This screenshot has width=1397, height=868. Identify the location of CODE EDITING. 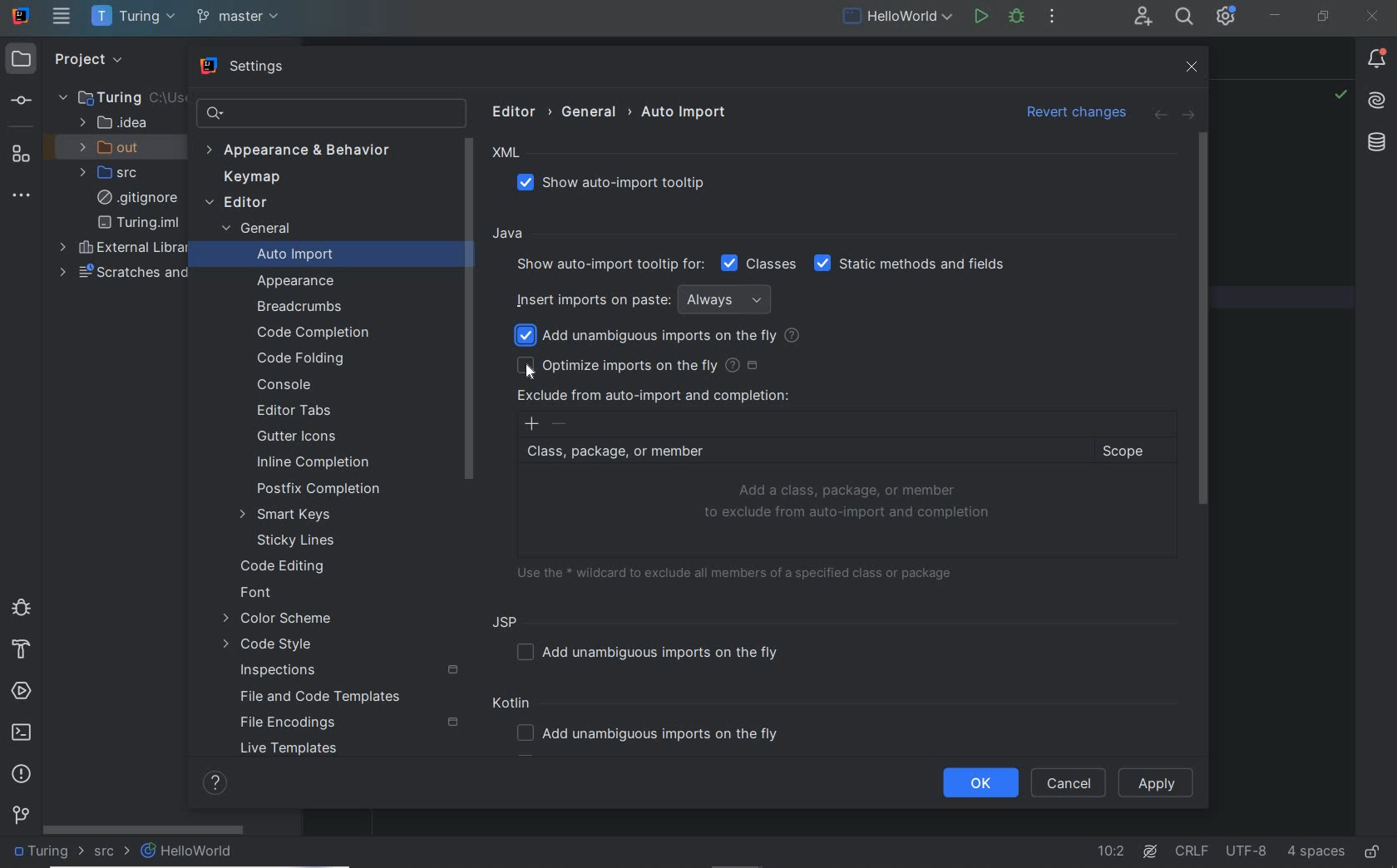
(284, 565).